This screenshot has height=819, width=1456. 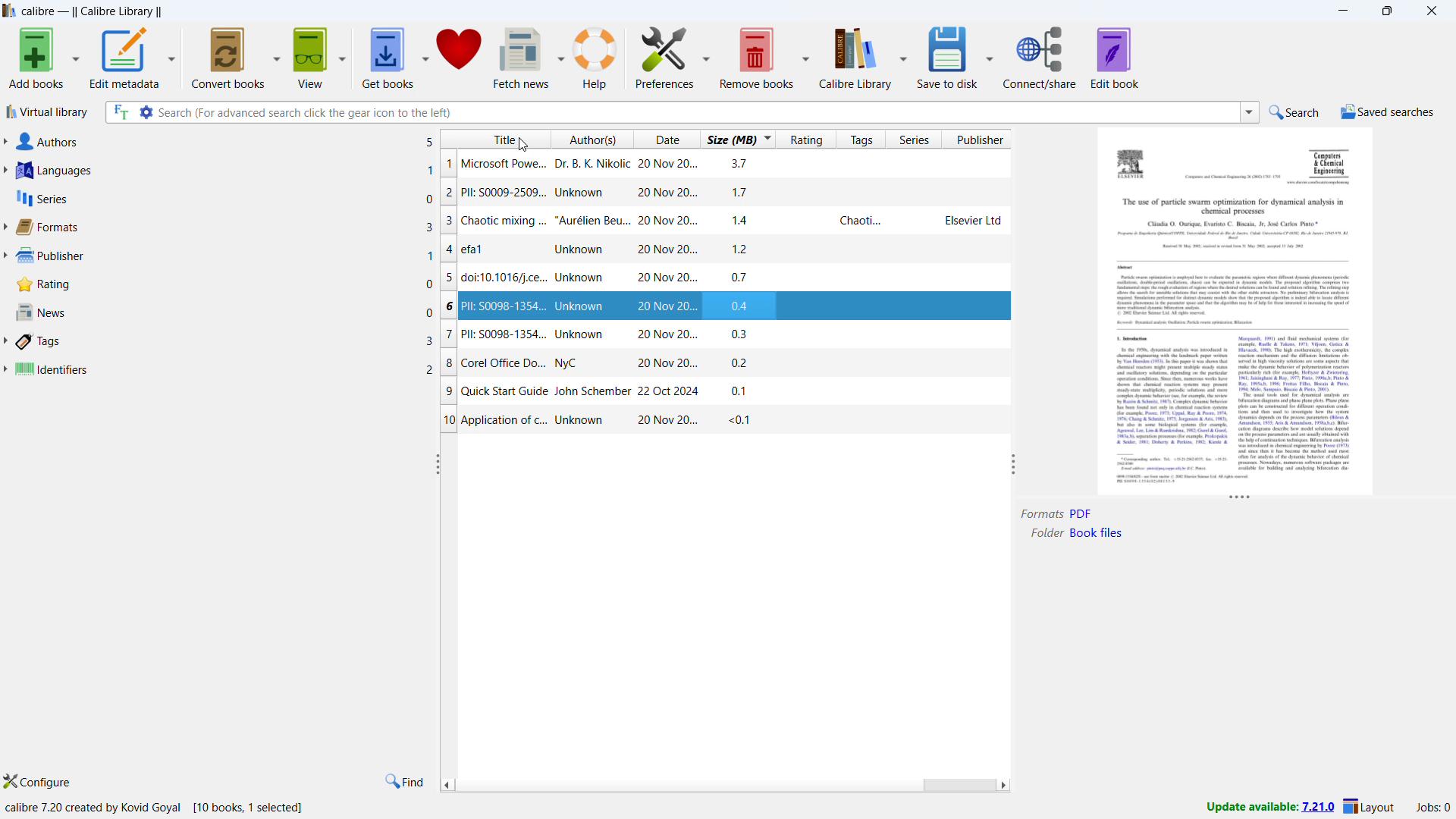 What do you see at coordinates (901, 55) in the screenshot?
I see `calibre diary options ` at bounding box center [901, 55].